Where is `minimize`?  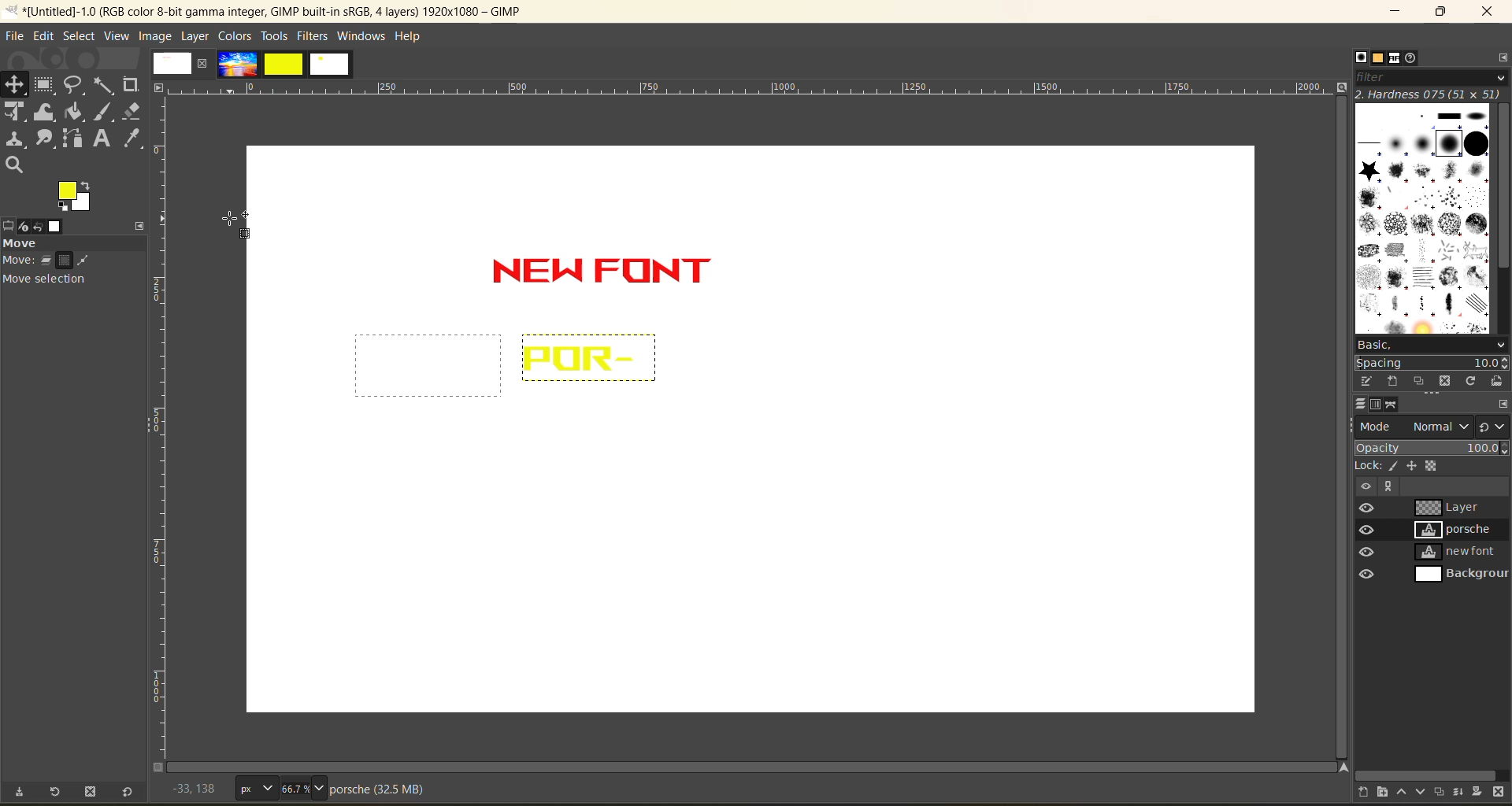 minimize is located at coordinates (1397, 12).